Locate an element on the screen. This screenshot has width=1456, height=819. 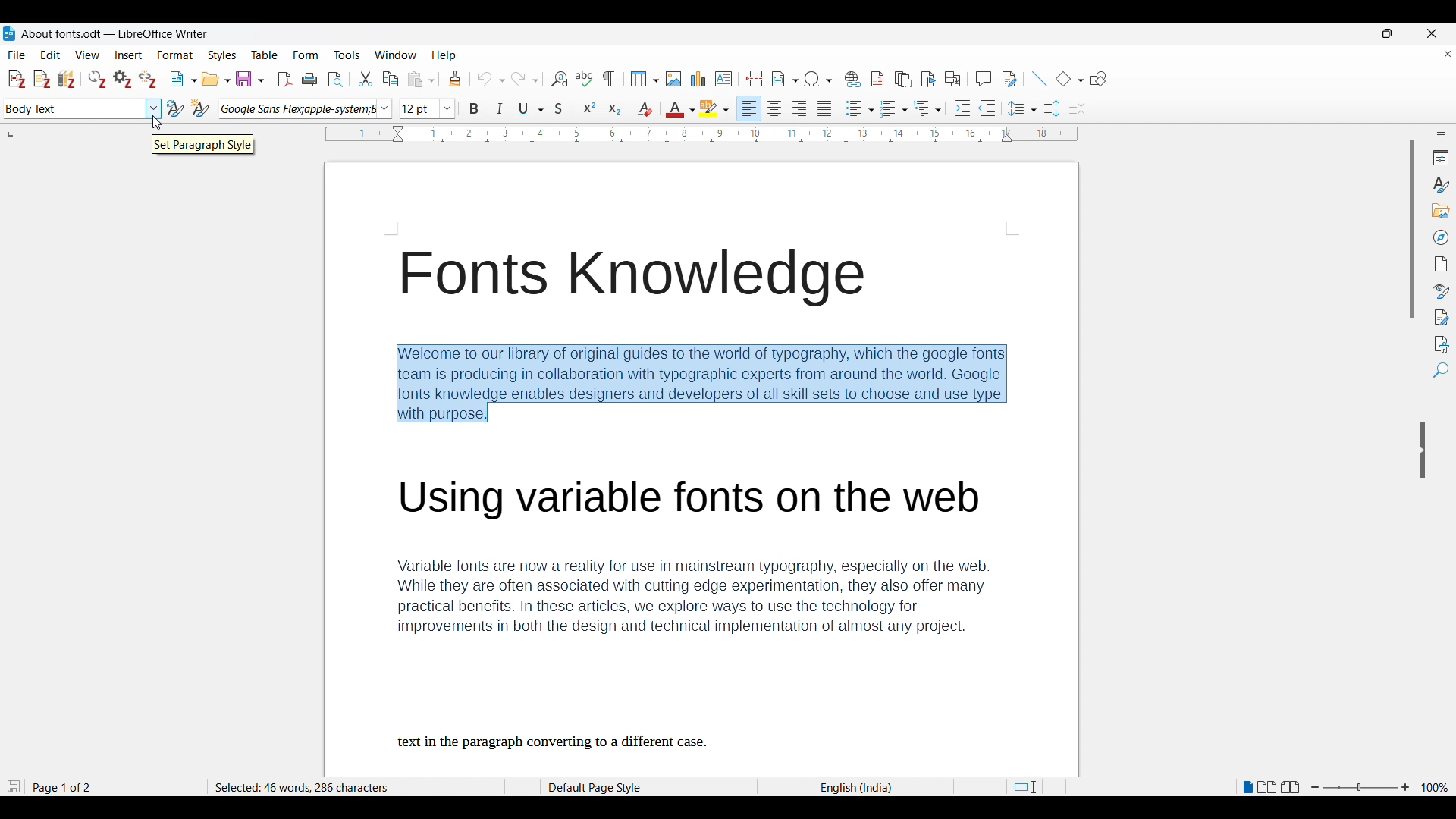
Find is located at coordinates (1442, 370).